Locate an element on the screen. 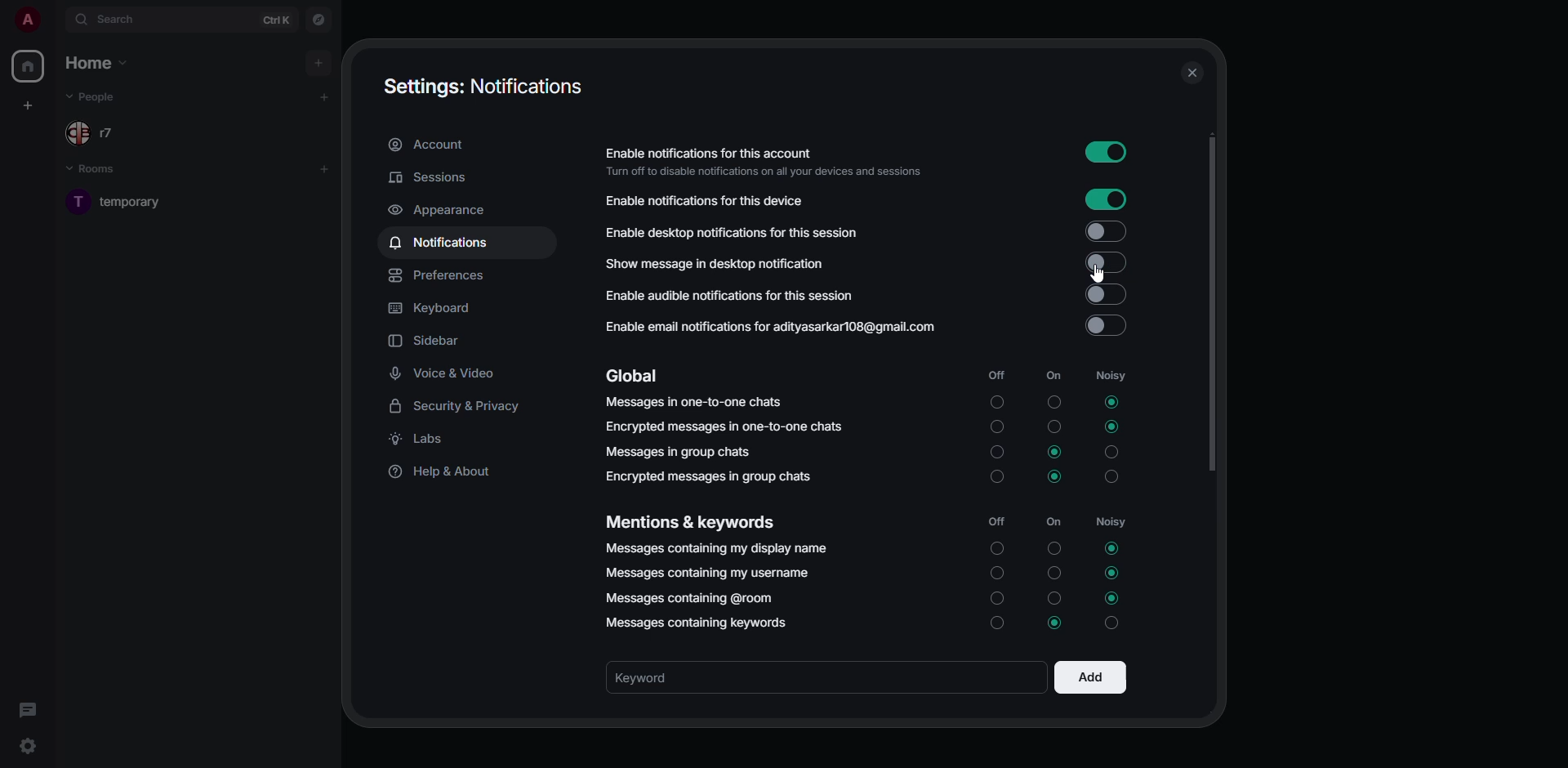  On Unselected is located at coordinates (1057, 426).